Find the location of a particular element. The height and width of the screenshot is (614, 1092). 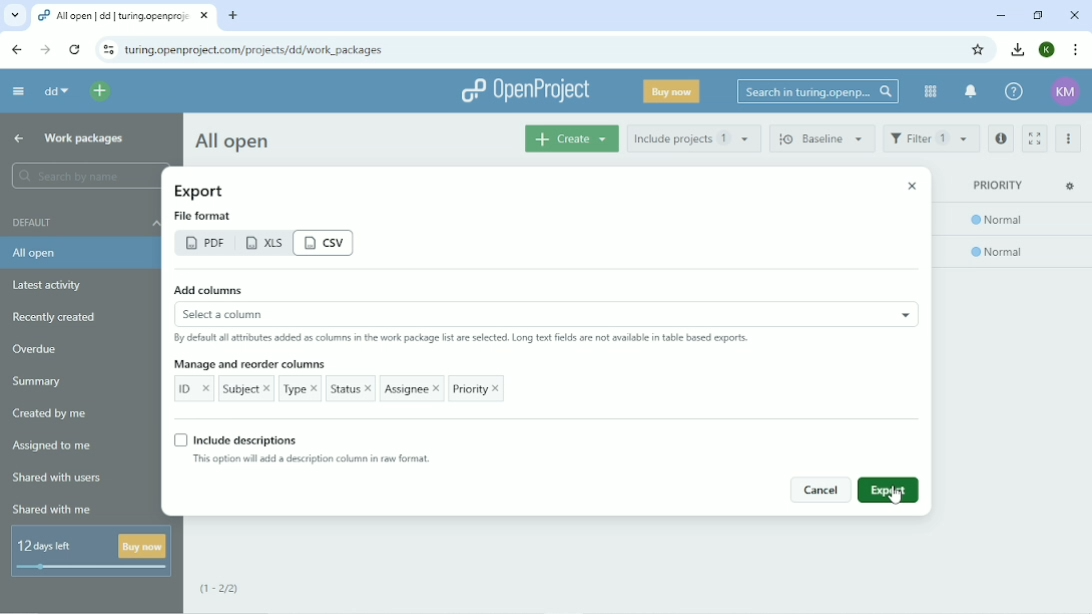

Up is located at coordinates (17, 139).